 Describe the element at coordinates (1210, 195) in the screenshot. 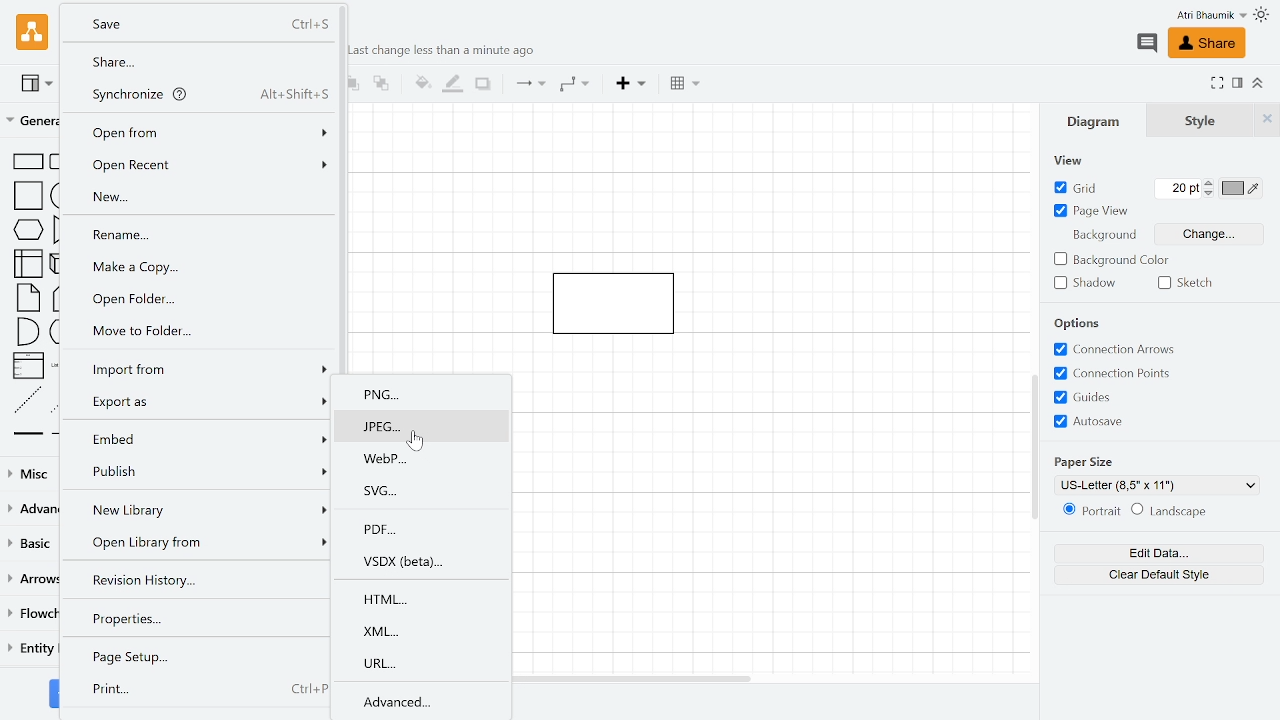

I see `Decrease grid pts` at that location.